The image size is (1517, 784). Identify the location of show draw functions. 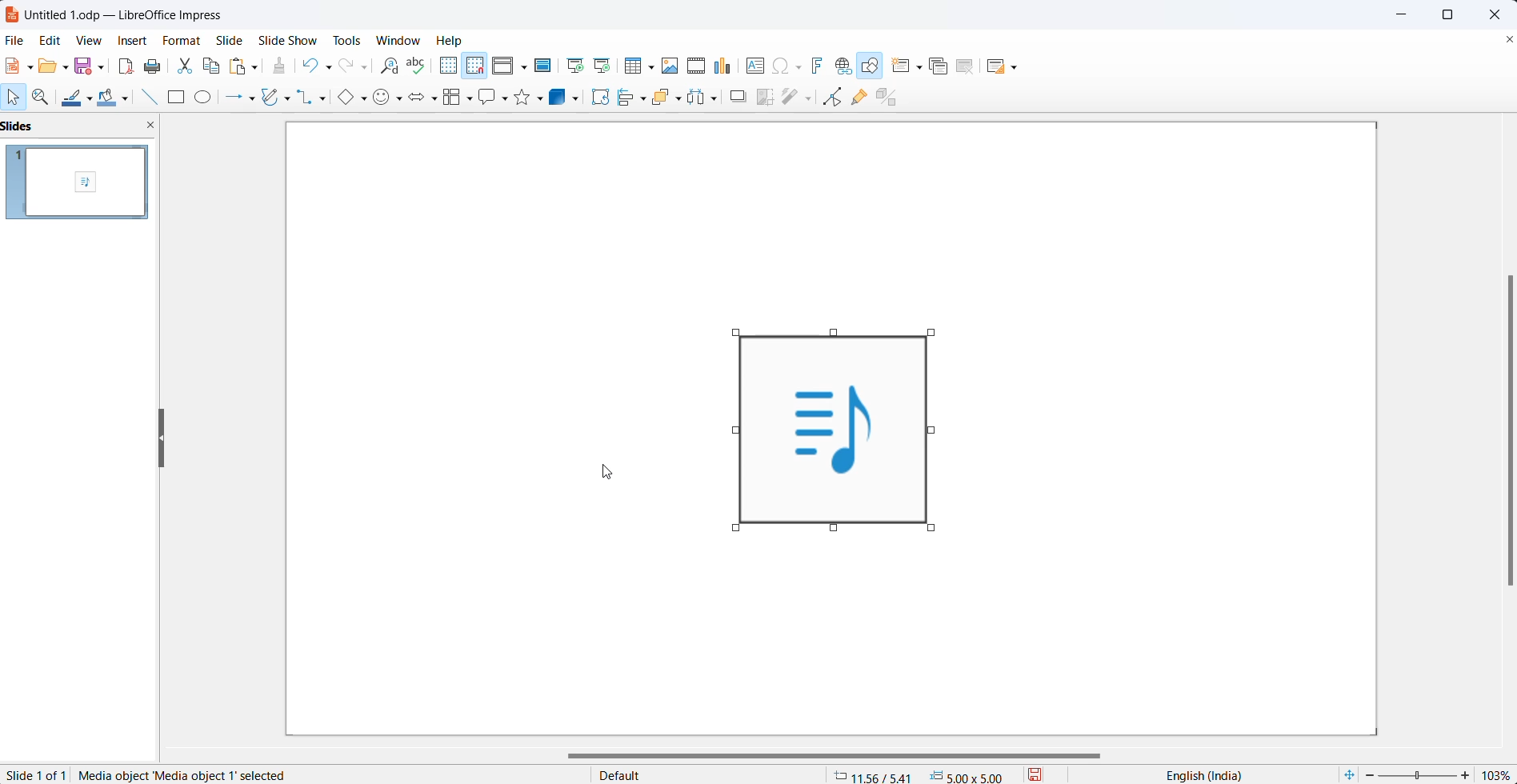
(872, 66).